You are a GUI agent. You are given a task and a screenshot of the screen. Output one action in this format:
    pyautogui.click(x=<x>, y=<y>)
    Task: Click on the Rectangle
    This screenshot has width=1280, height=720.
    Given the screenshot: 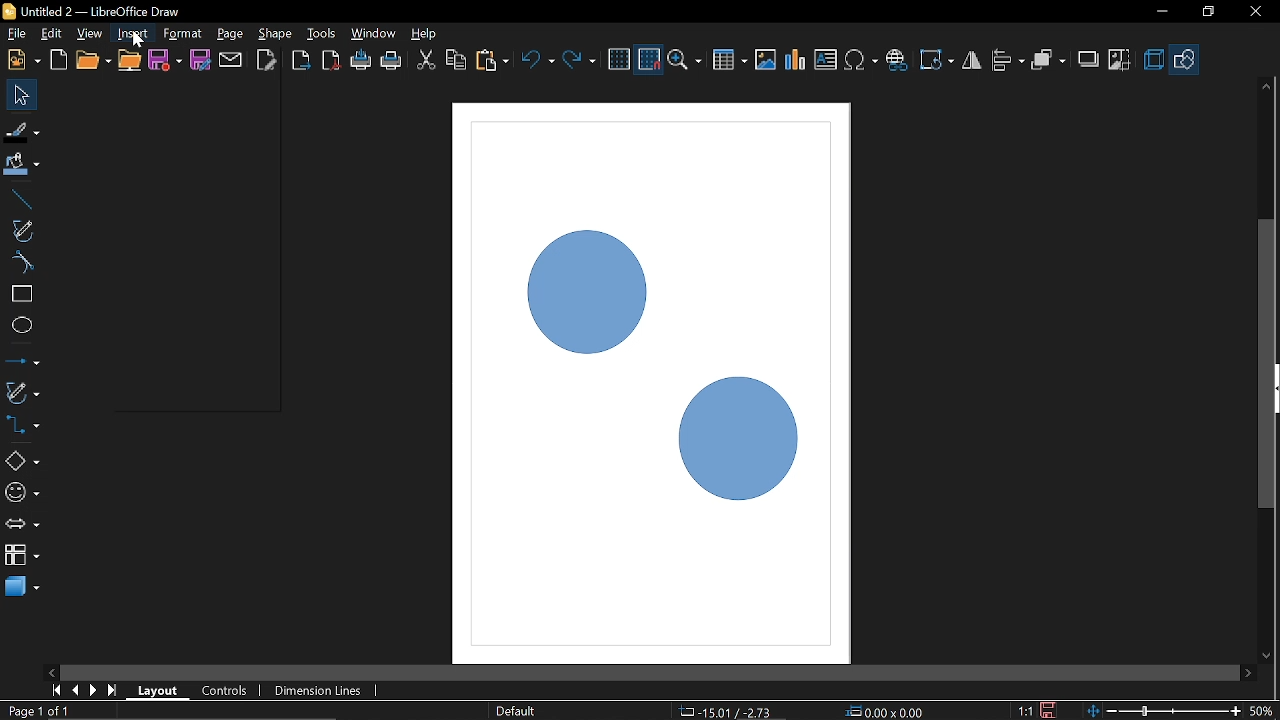 What is the action you would take?
    pyautogui.click(x=21, y=294)
    